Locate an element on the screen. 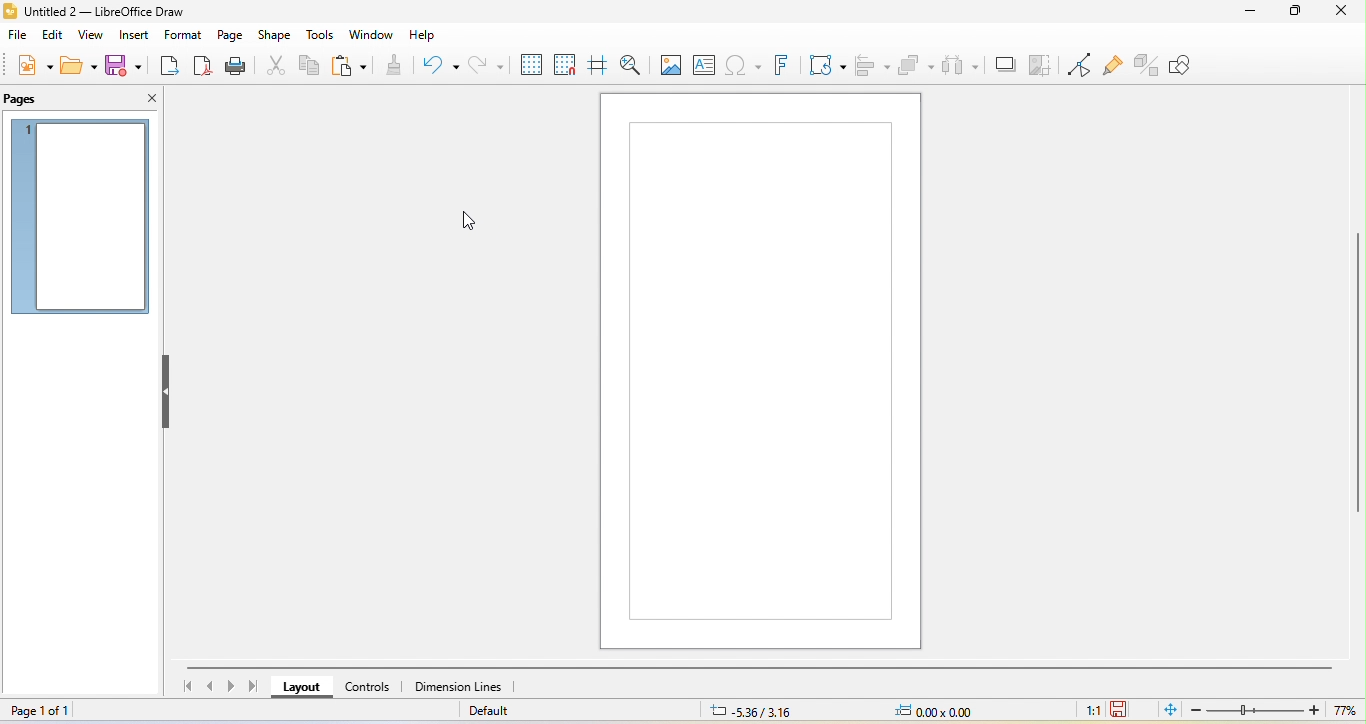  layout is located at coordinates (303, 690).